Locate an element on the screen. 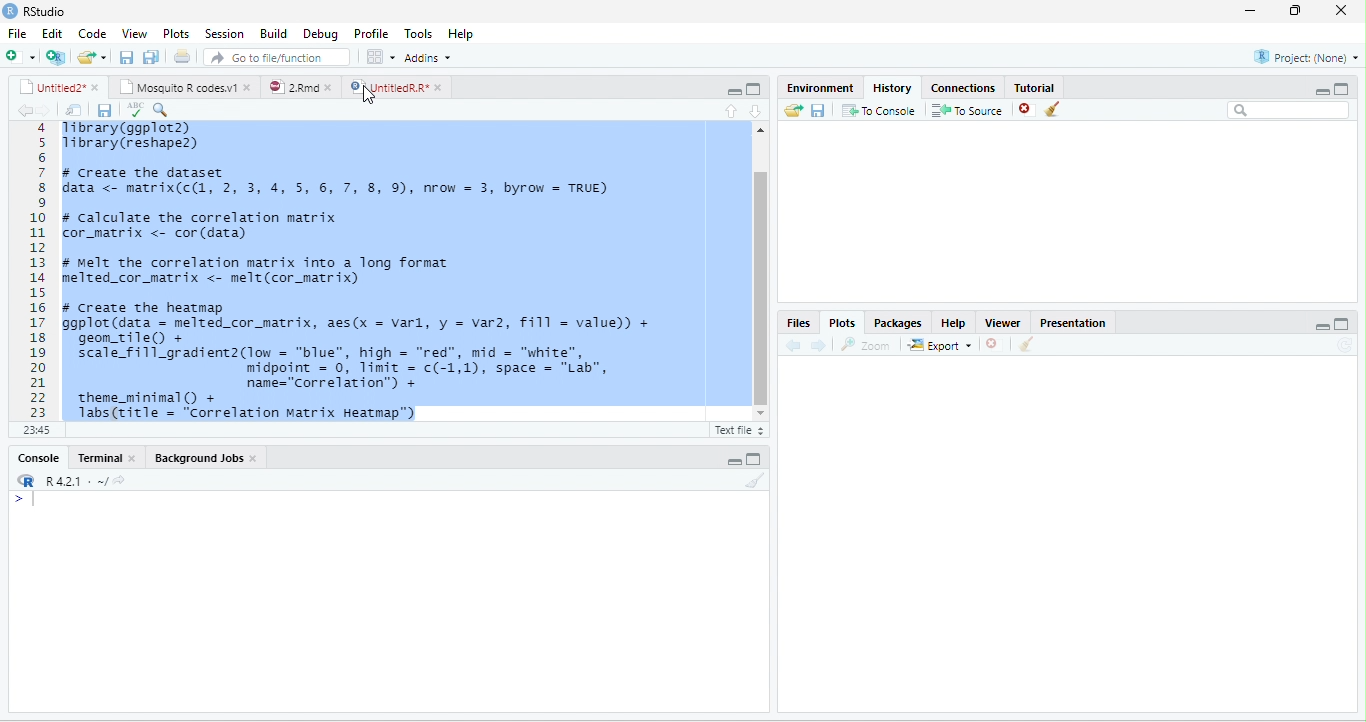 Image resolution: width=1366 pixels, height=722 pixels. minimize is located at coordinates (734, 460).